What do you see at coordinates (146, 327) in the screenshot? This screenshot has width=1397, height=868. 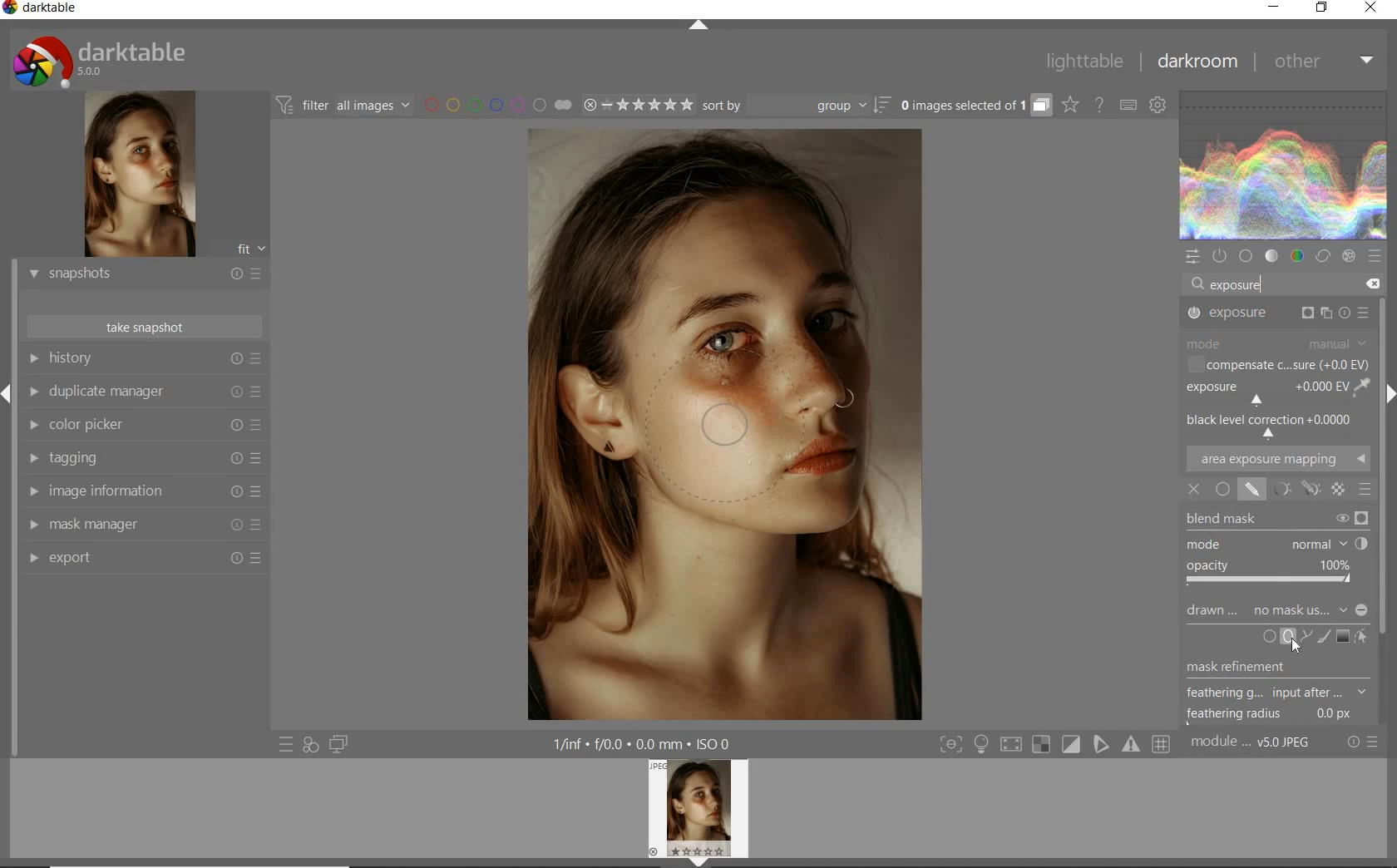 I see `take snapshots` at bounding box center [146, 327].